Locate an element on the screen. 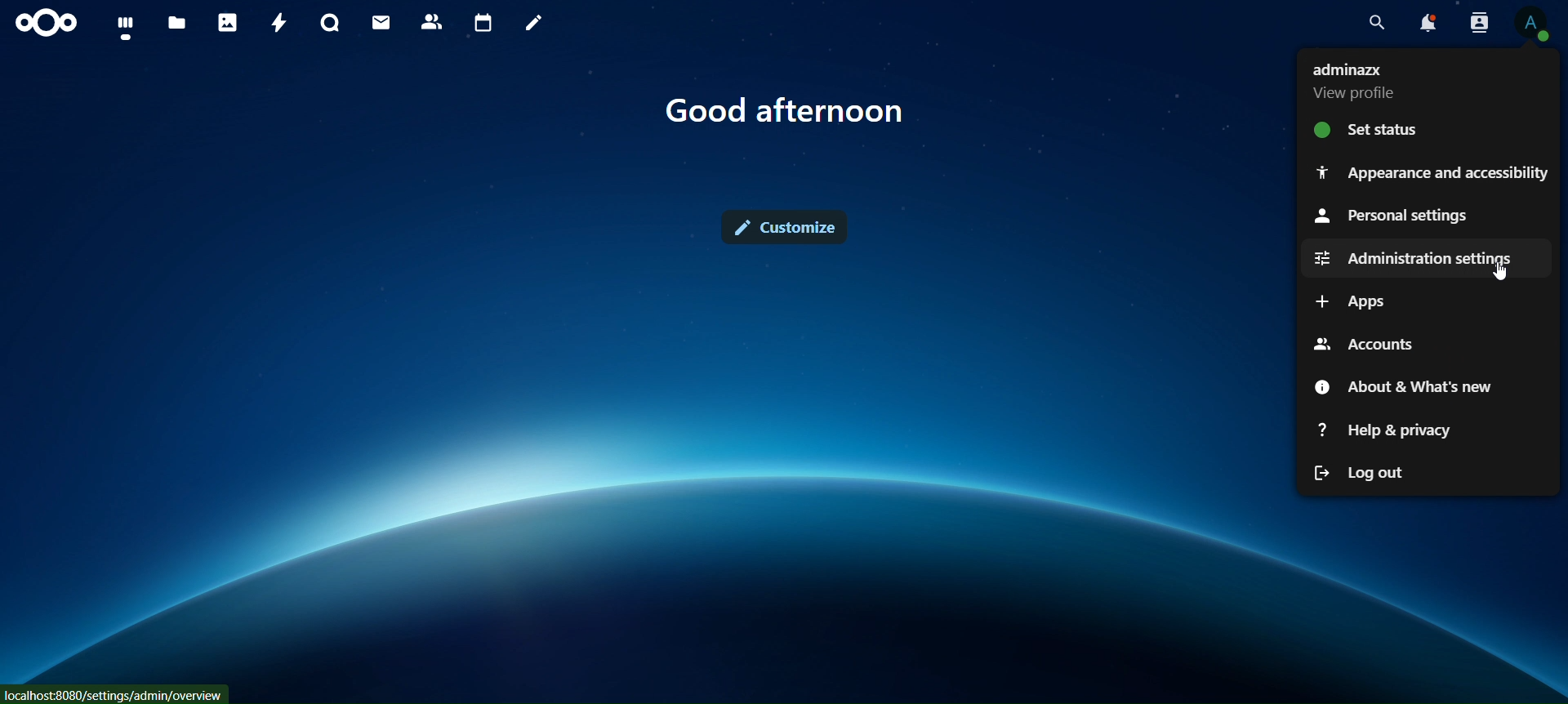 The width and height of the screenshot is (1568, 704). accounts is located at coordinates (1368, 341).